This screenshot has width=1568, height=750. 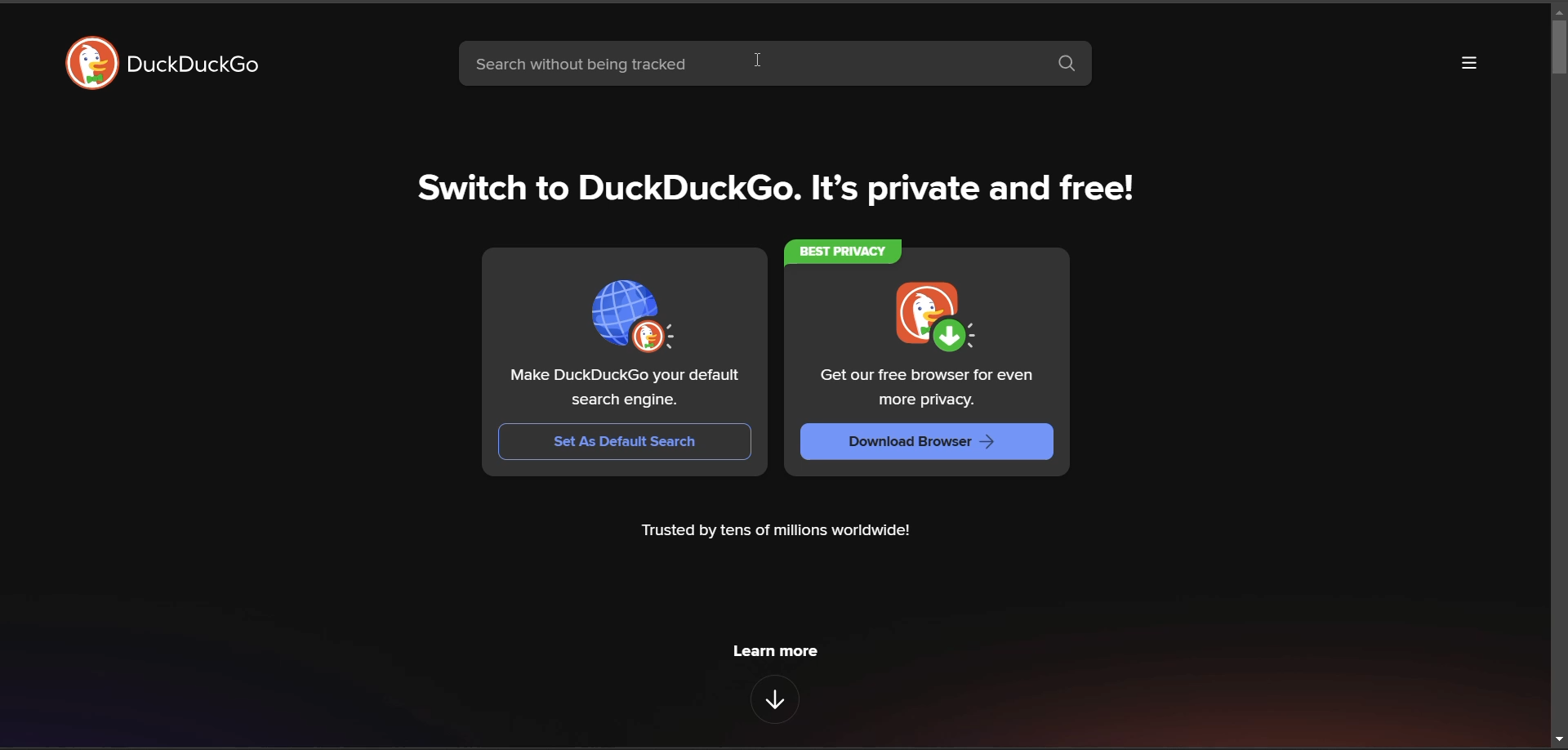 I want to click on search button, so click(x=1068, y=66).